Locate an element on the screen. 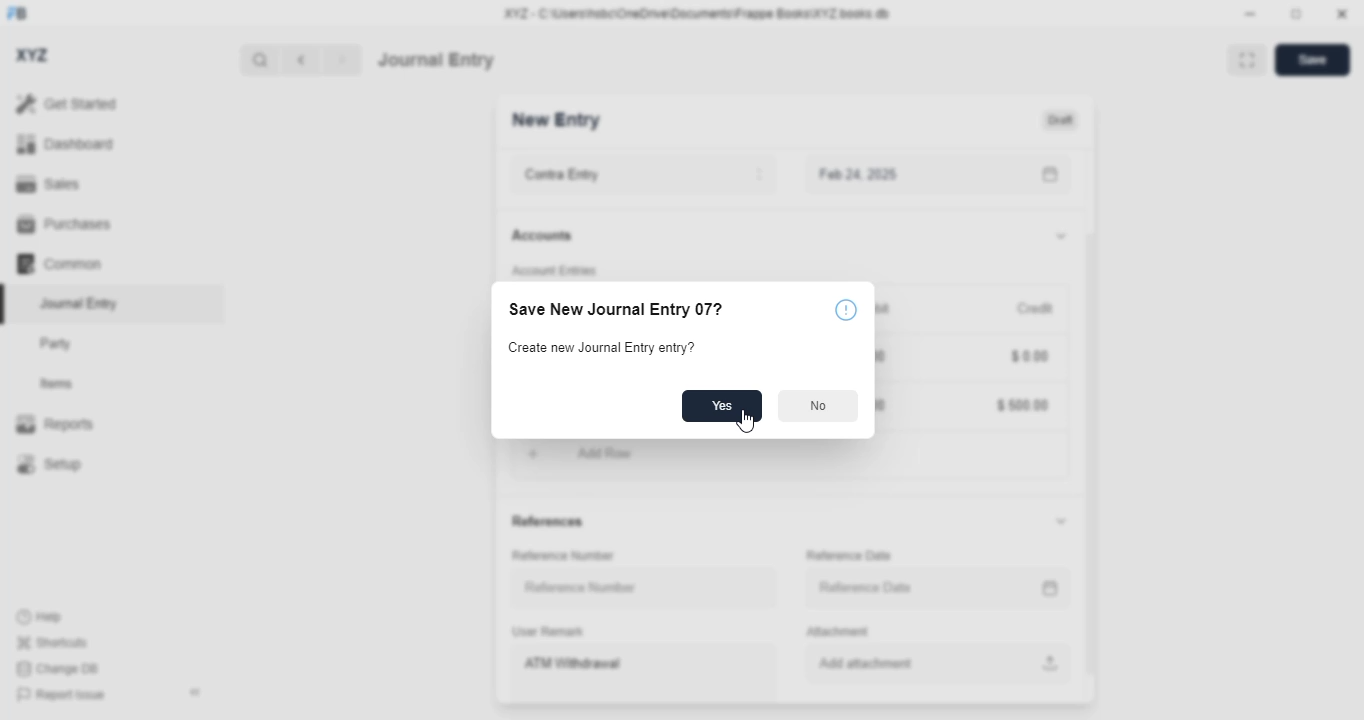 The height and width of the screenshot is (720, 1364). create new journal entry entry? is located at coordinates (603, 348).